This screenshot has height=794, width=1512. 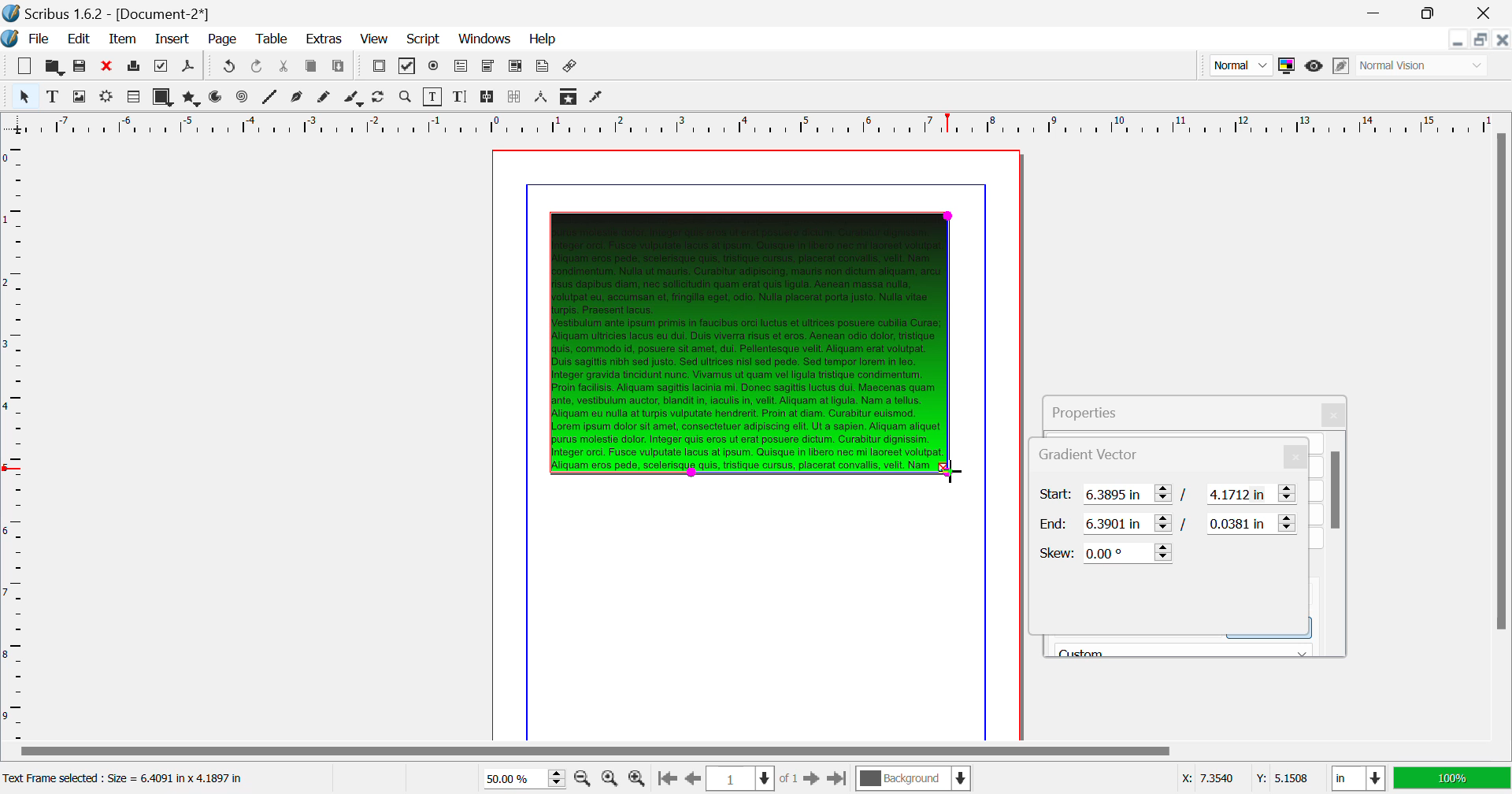 I want to click on Line, so click(x=270, y=98).